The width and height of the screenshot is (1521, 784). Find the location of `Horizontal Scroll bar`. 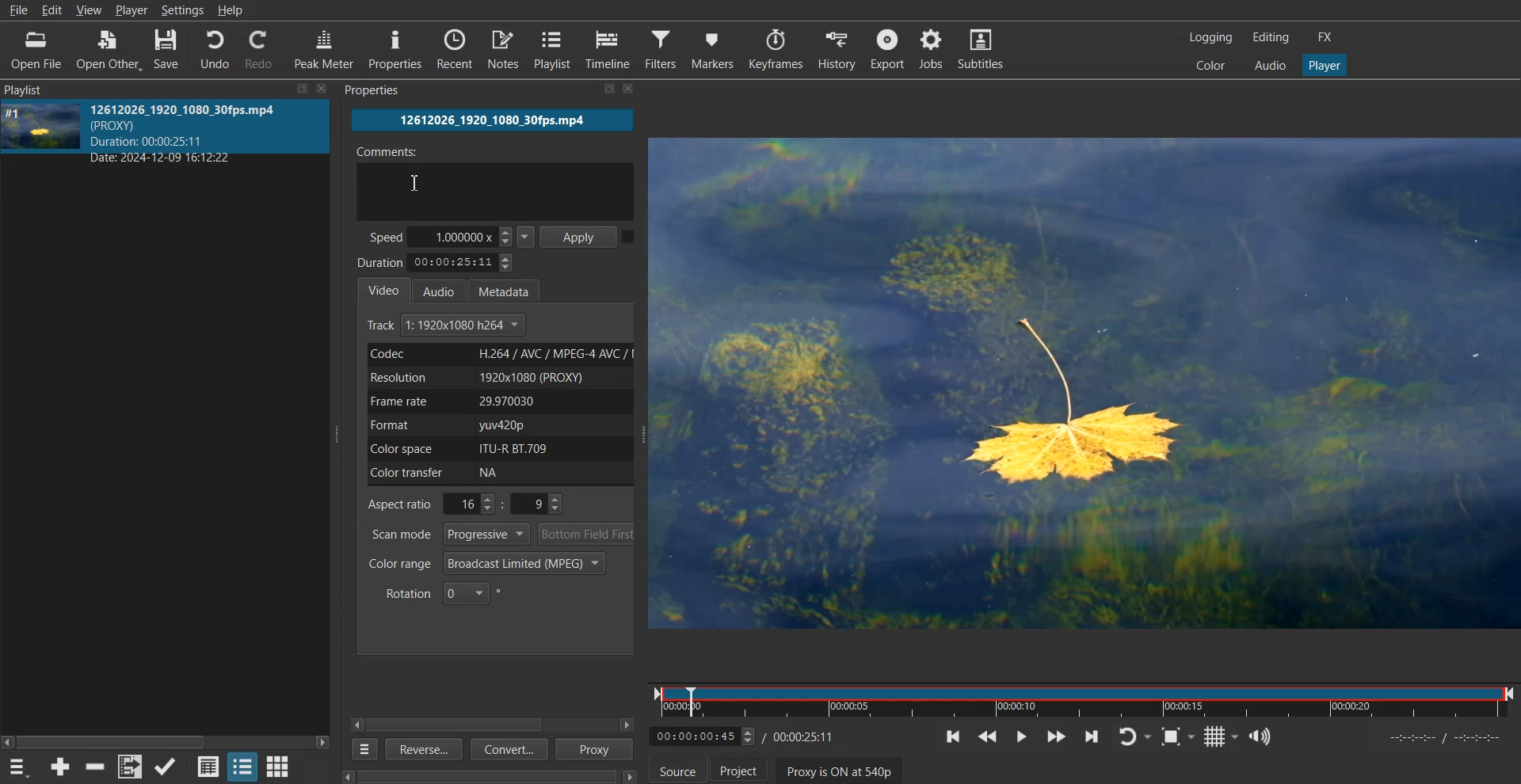

Horizontal Scroll bar is located at coordinates (462, 725).